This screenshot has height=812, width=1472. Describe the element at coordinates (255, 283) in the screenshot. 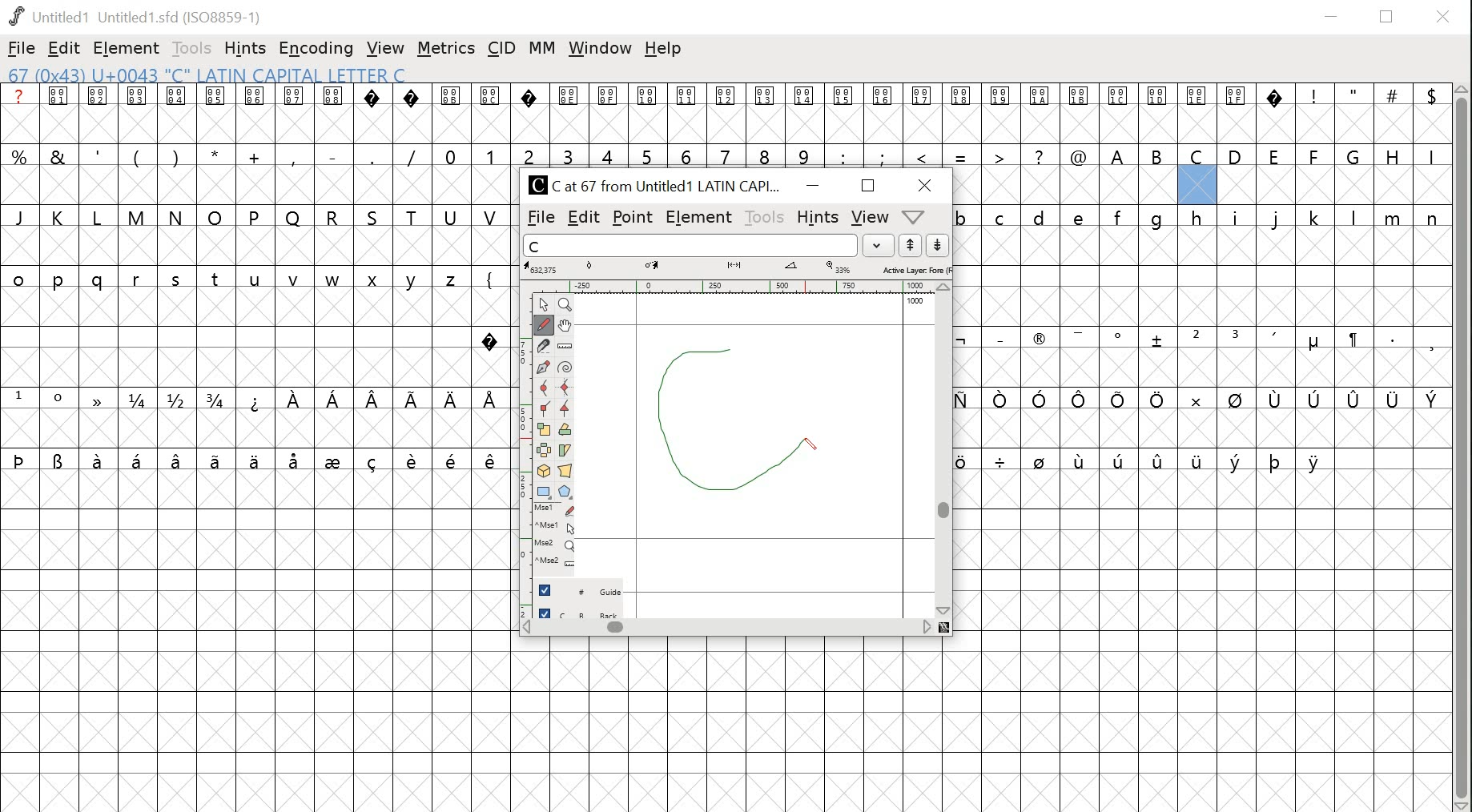

I see `glyphs` at that location.